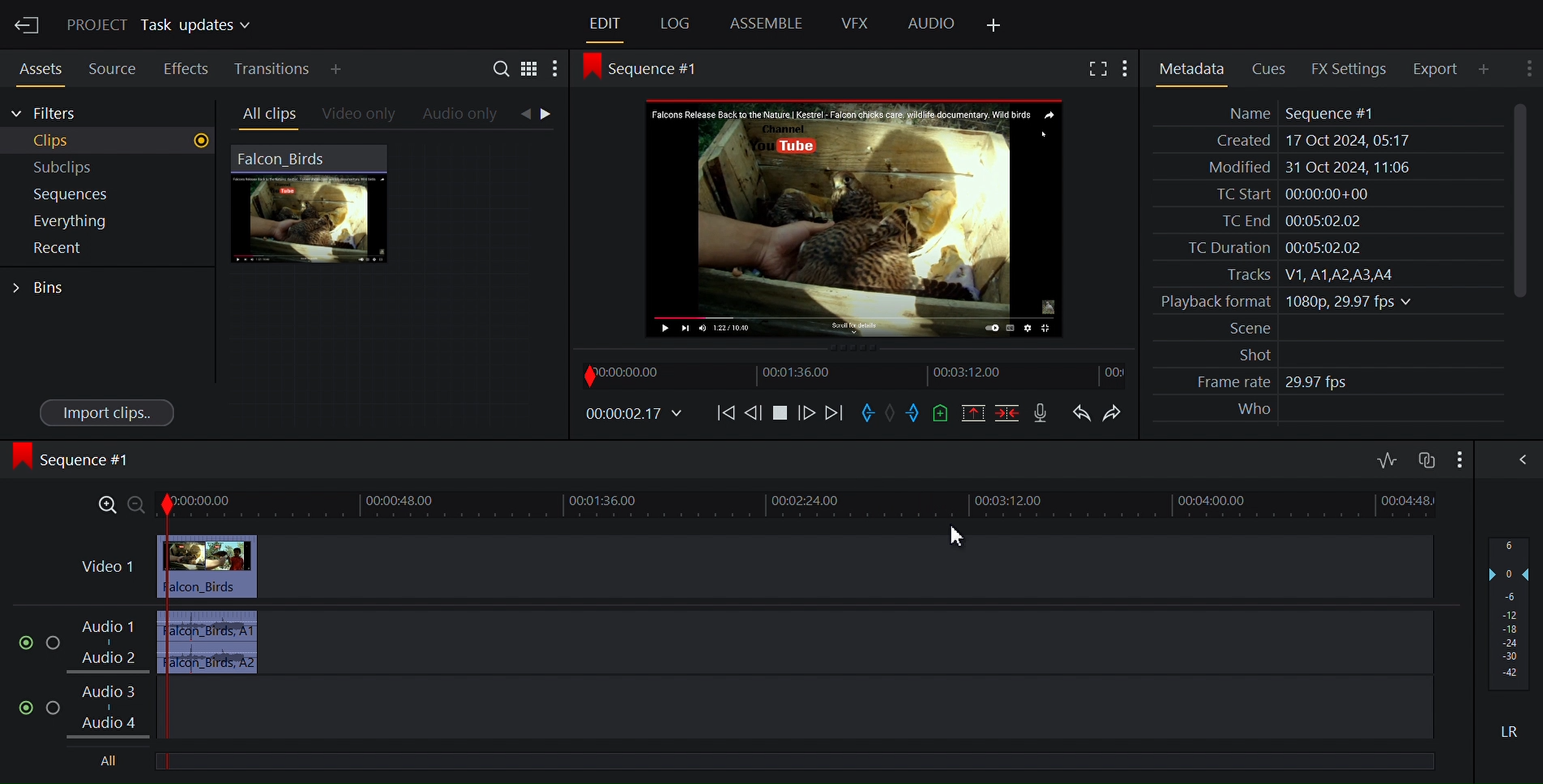 The width and height of the screenshot is (1543, 784). Describe the element at coordinates (270, 69) in the screenshot. I see `Transition` at that location.